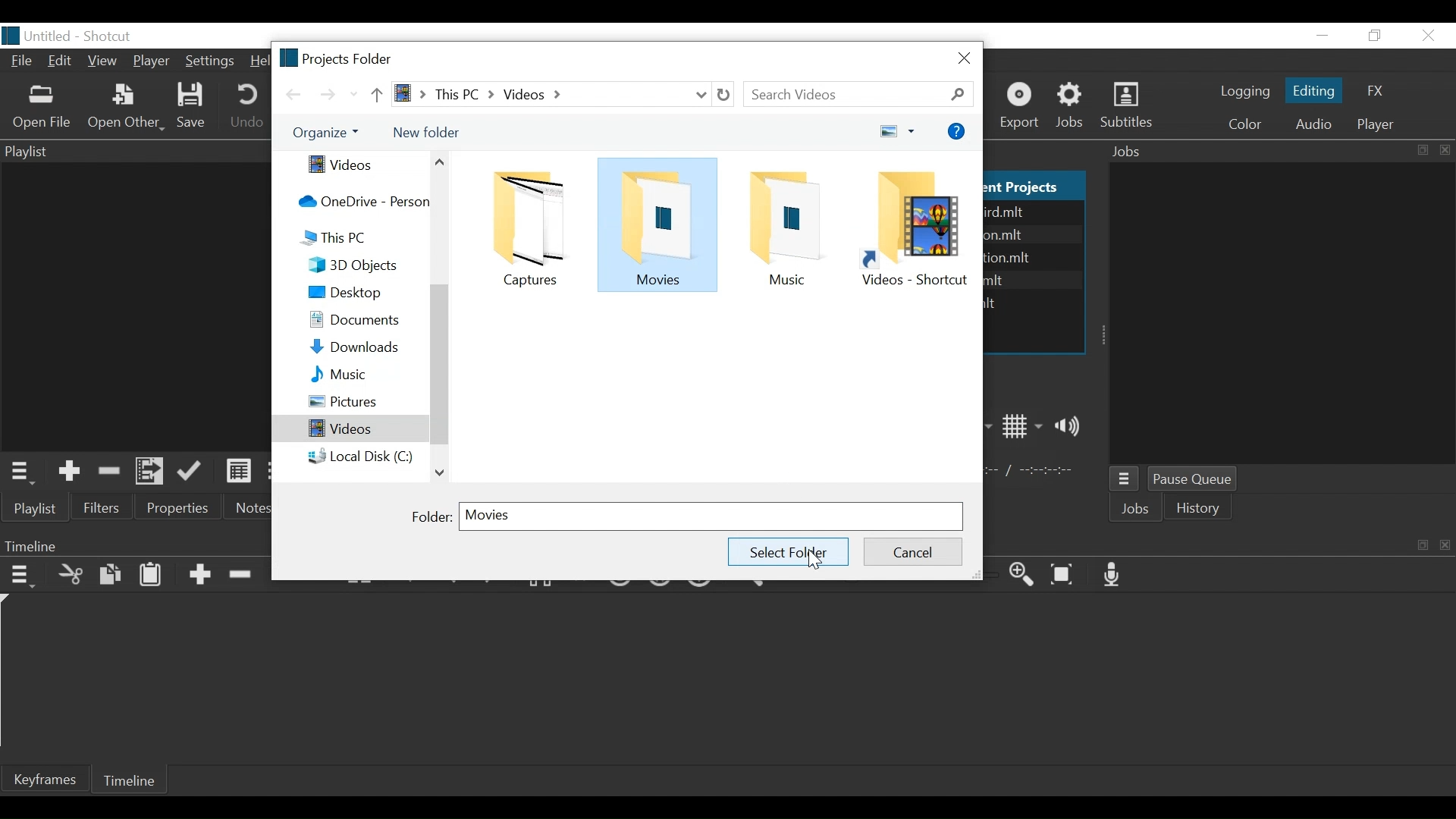 This screenshot has height=819, width=1456. I want to click on Keyframe, so click(46, 779).